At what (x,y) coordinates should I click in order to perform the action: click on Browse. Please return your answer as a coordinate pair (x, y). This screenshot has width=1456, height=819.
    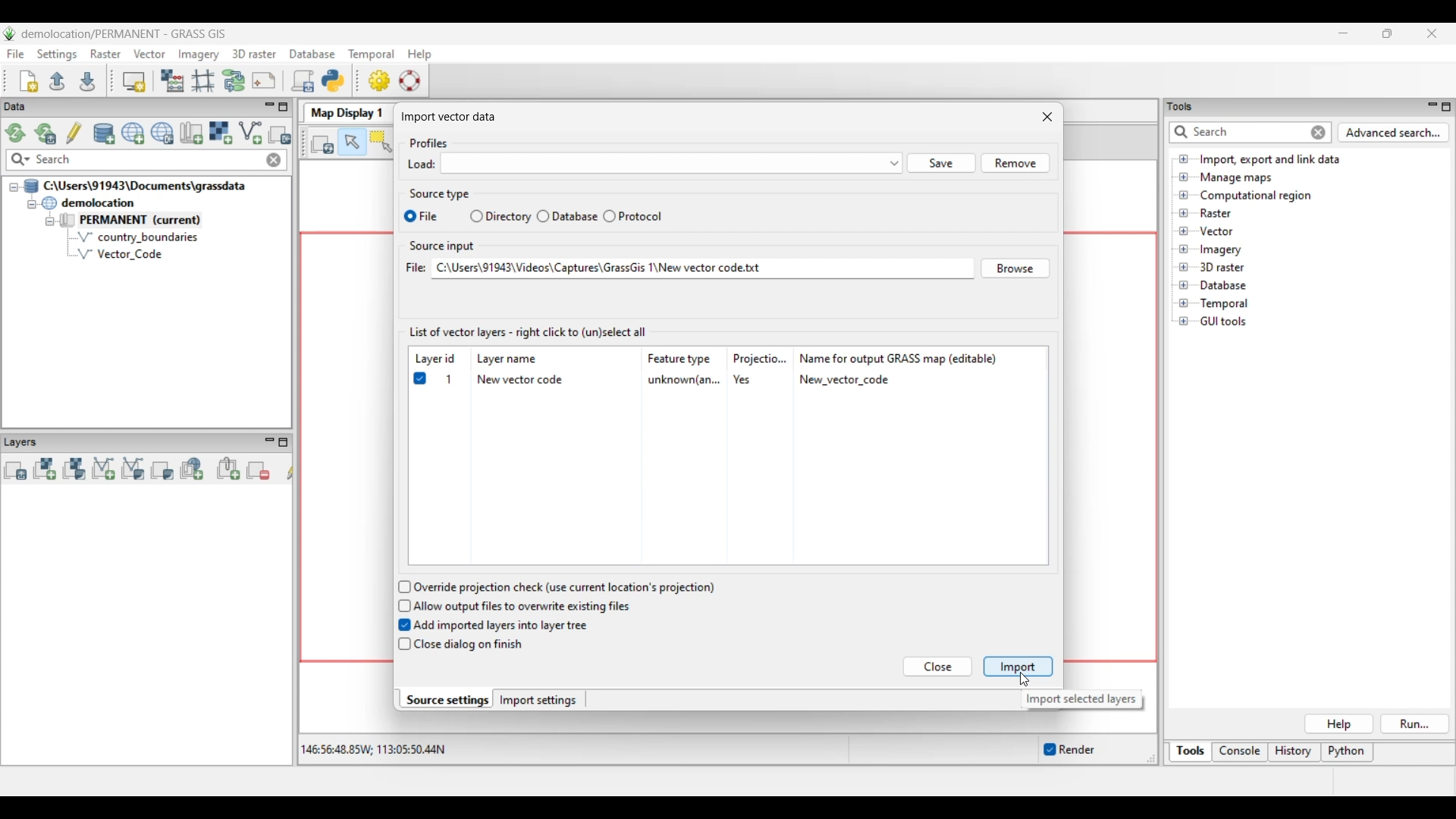
    Looking at the image, I should click on (1012, 265).